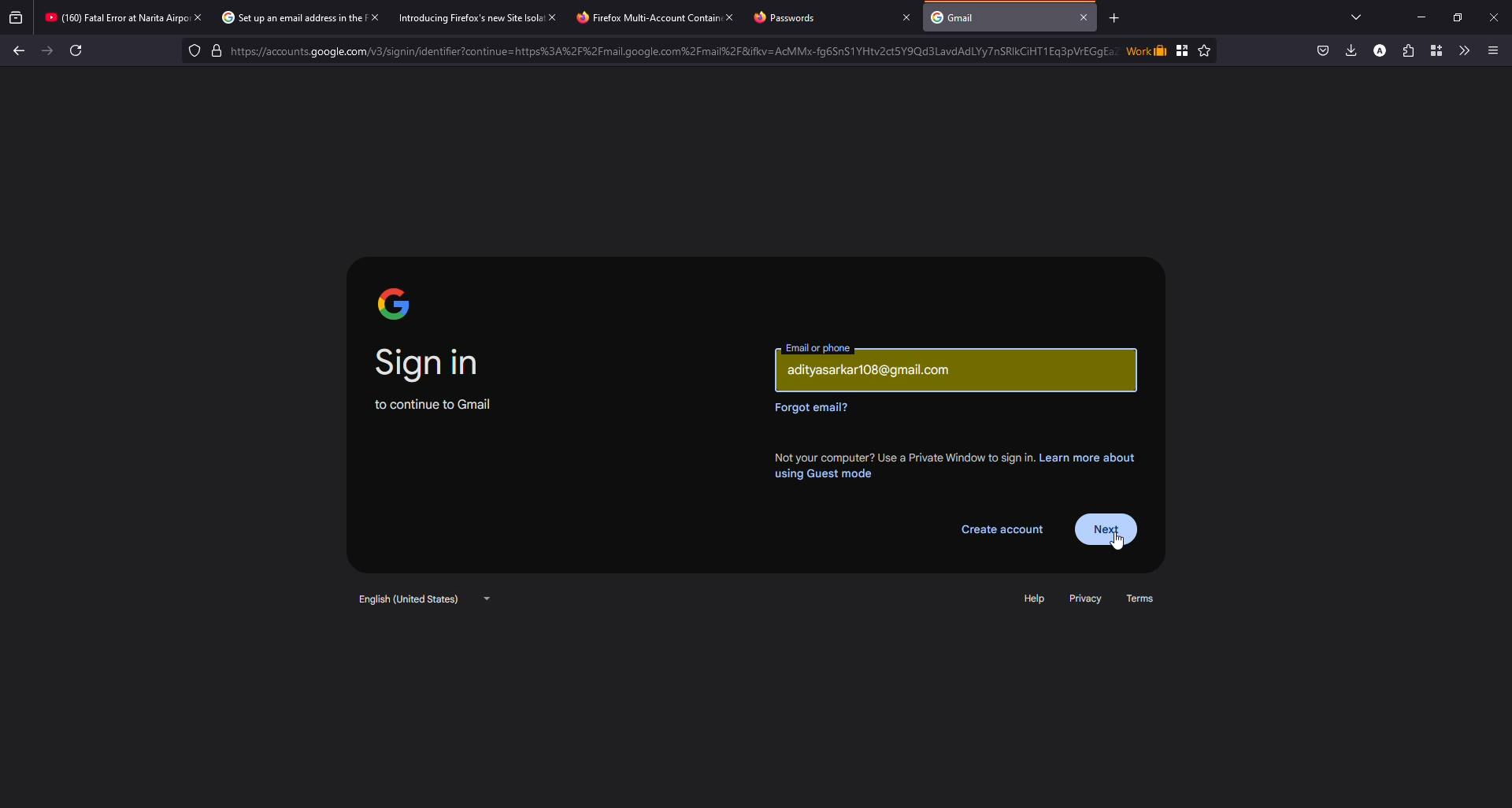 This screenshot has width=1512, height=808. What do you see at coordinates (554, 17) in the screenshot?
I see `close` at bounding box center [554, 17].